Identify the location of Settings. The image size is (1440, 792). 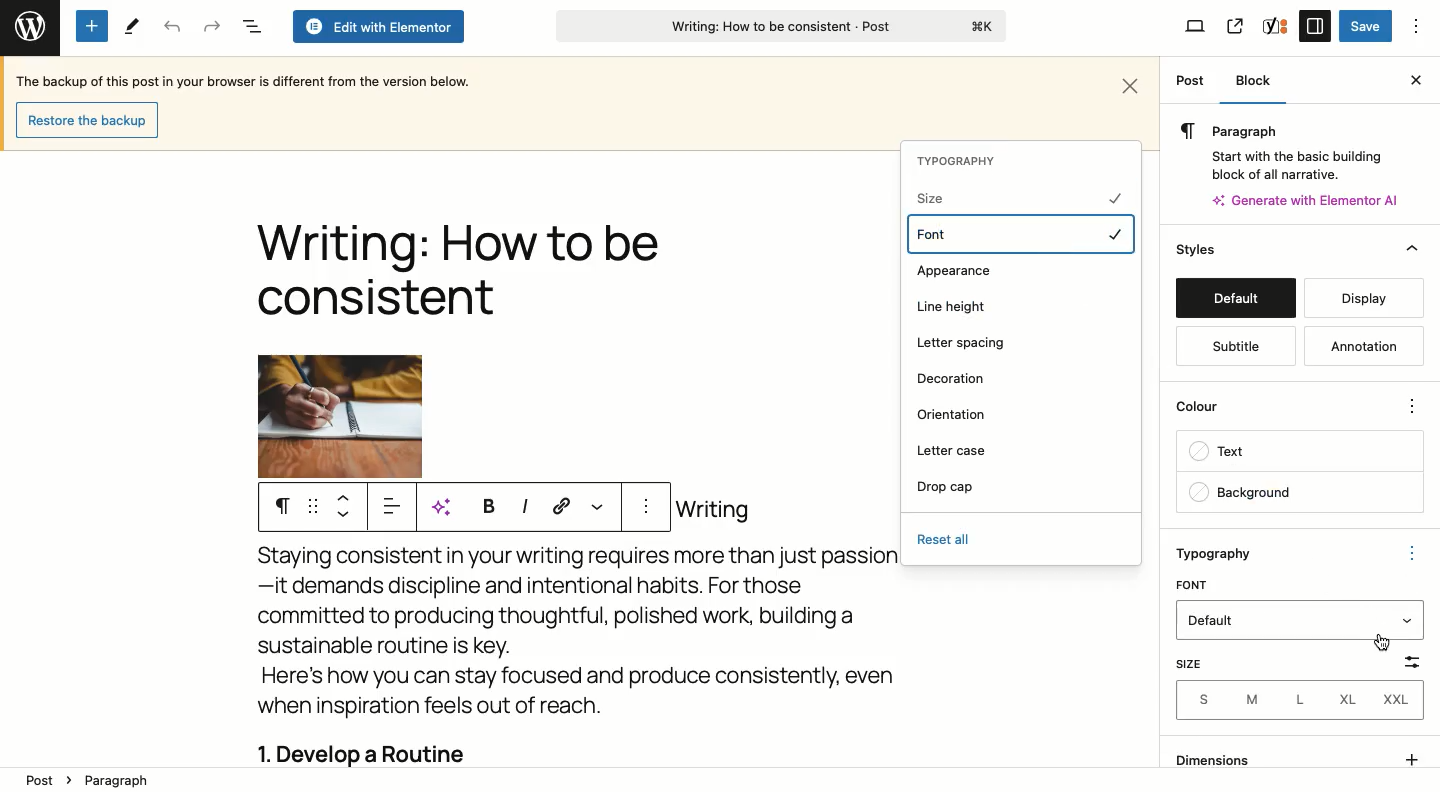
(1314, 25).